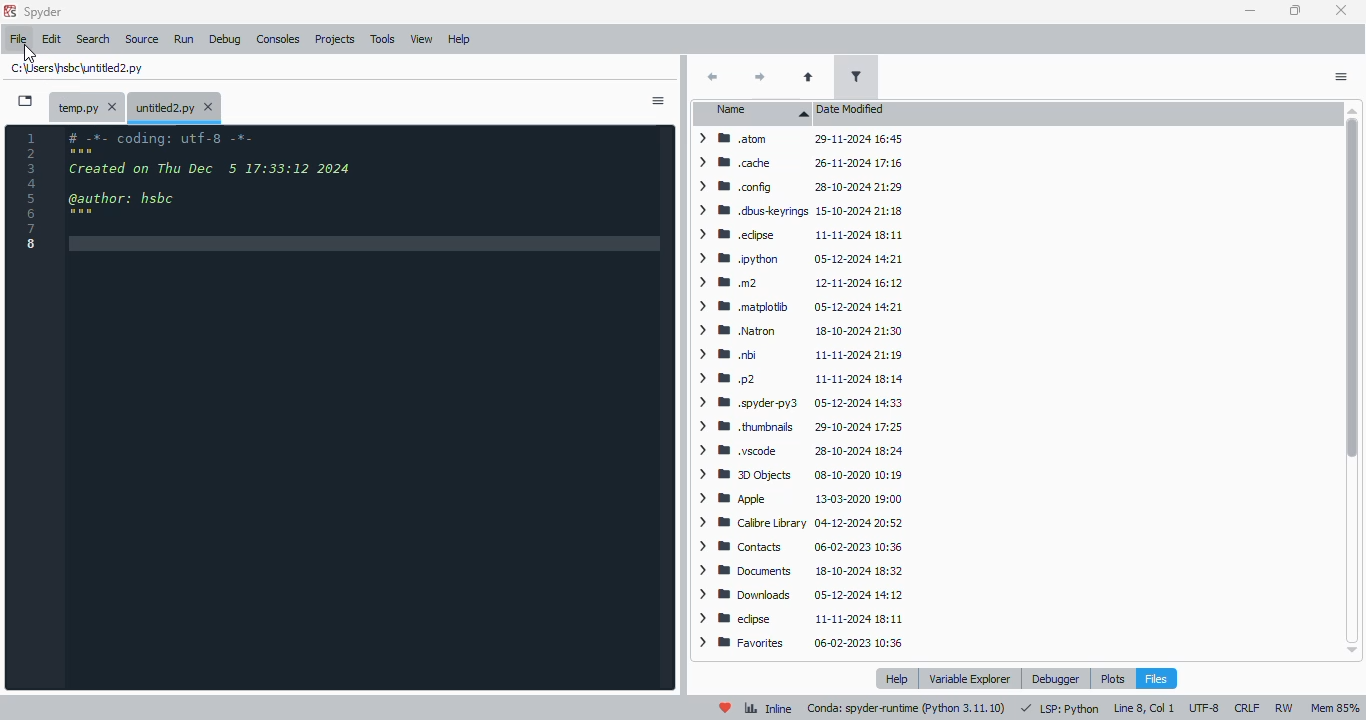 The image size is (1366, 720). I want to click on parent, so click(808, 77).